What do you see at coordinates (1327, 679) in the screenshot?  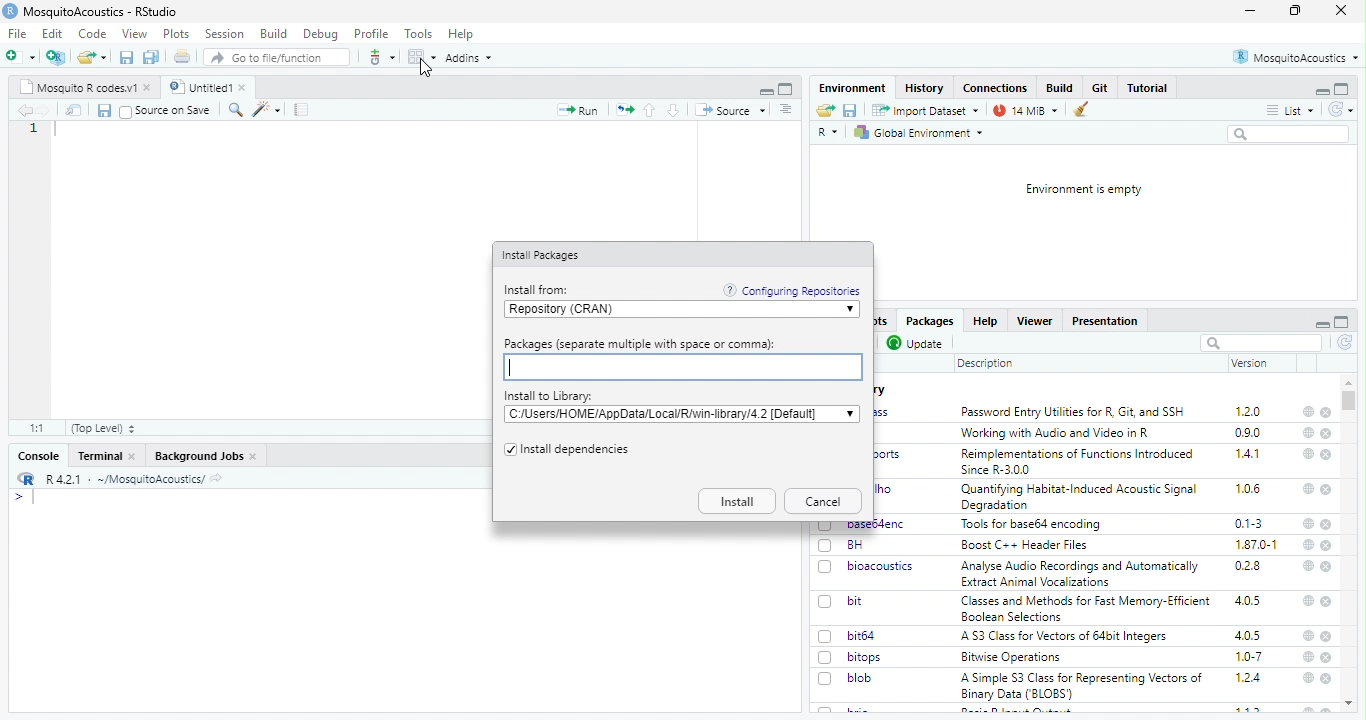 I see `close` at bounding box center [1327, 679].